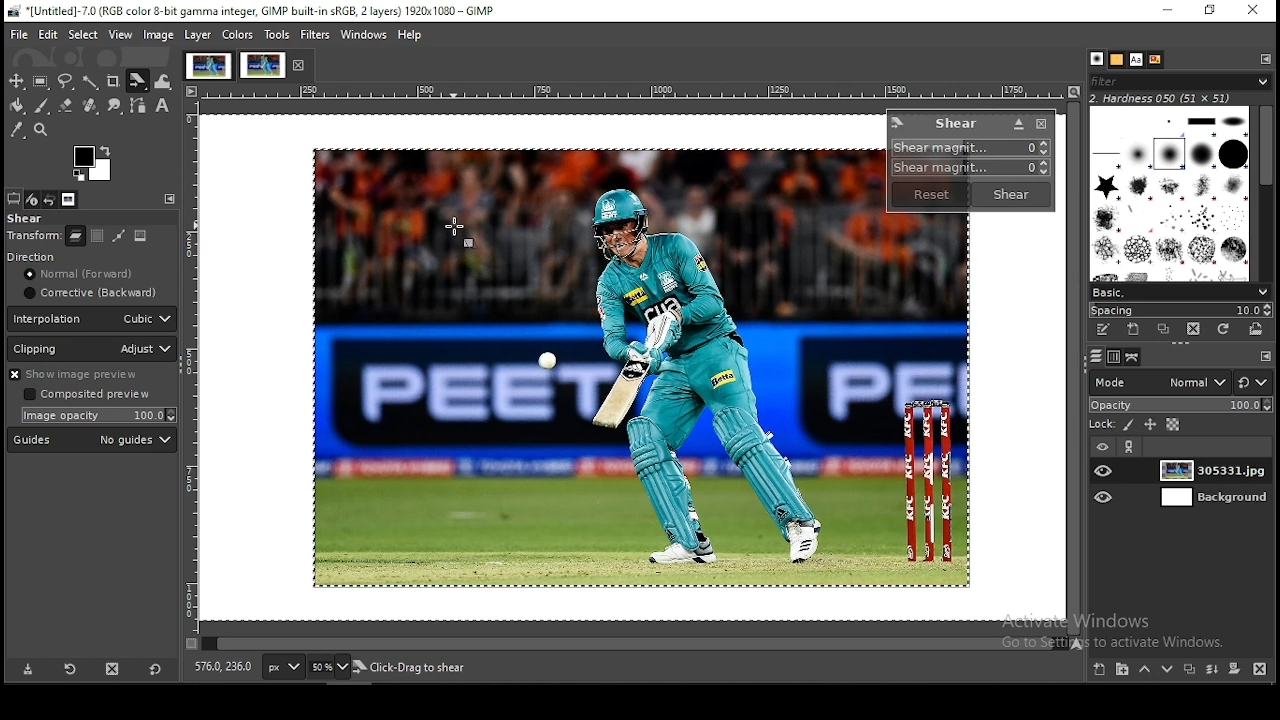  Describe the element at coordinates (1095, 58) in the screenshot. I see `patterns` at that location.